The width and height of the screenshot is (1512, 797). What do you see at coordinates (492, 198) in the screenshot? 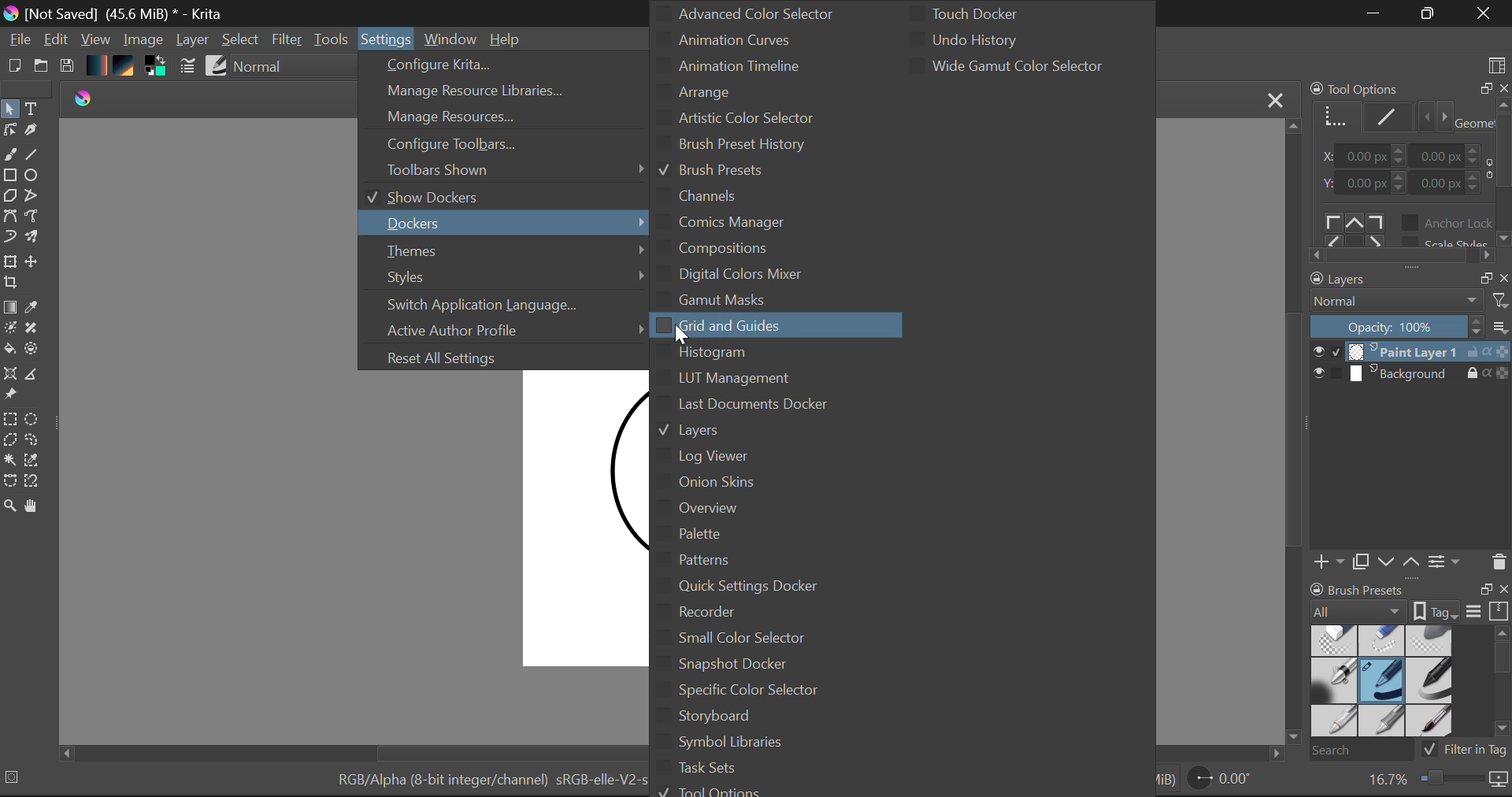
I see `Show Dockers` at bounding box center [492, 198].